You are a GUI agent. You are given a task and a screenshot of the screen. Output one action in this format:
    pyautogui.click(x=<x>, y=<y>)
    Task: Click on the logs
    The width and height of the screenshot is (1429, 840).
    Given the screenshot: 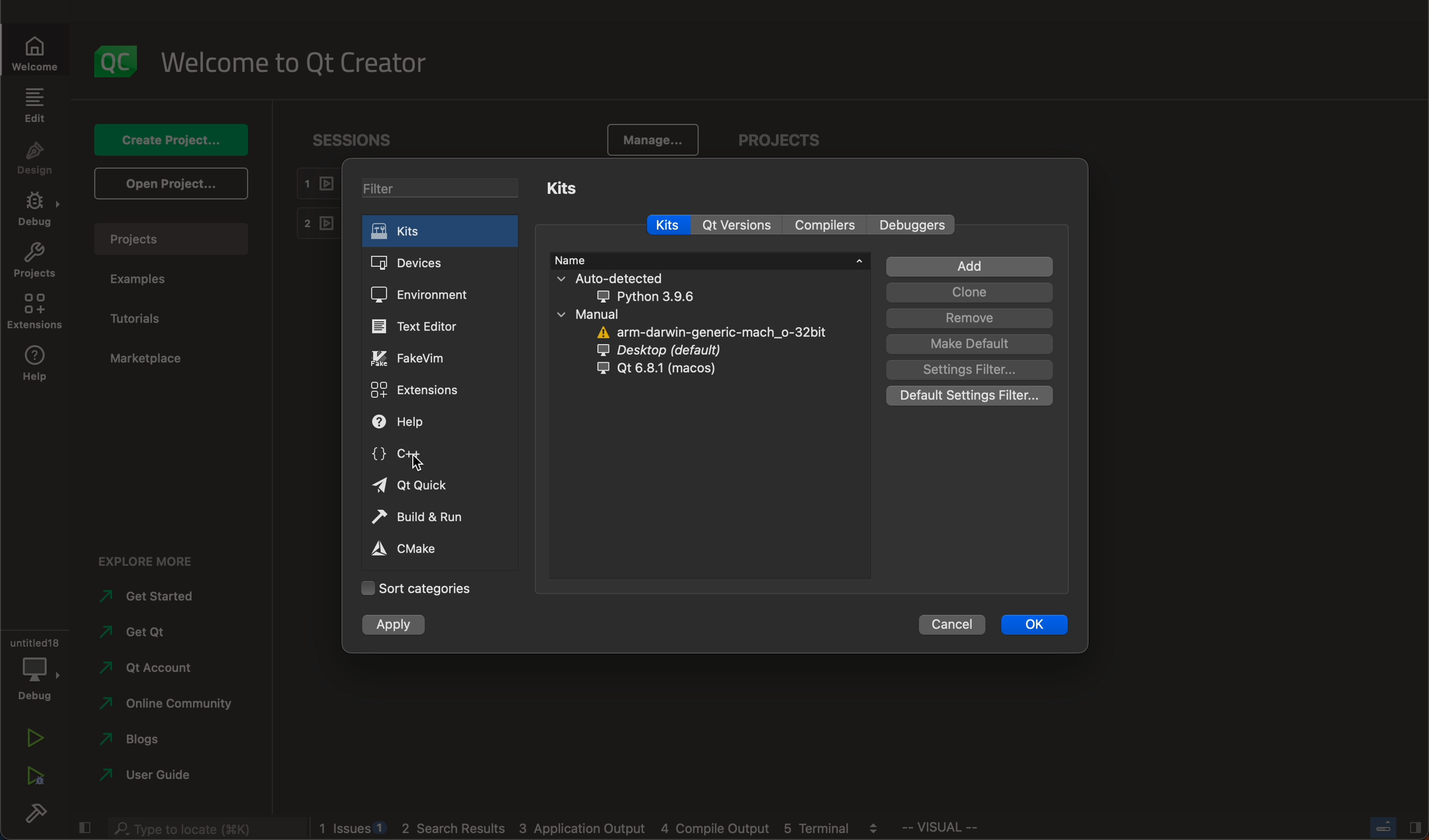 What is the action you would take?
    pyautogui.click(x=606, y=829)
    